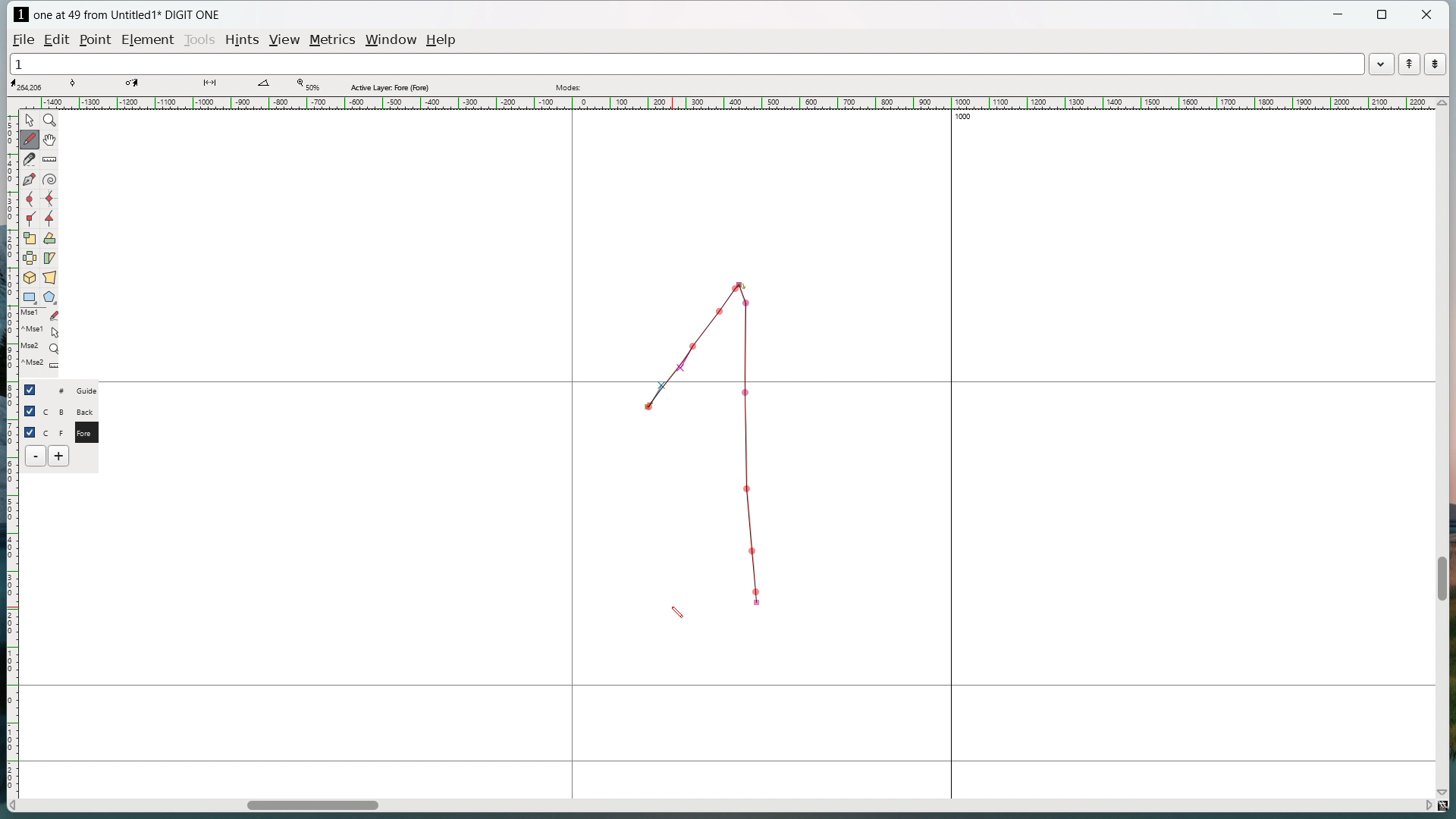 This screenshot has height=819, width=1456. Describe the element at coordinates (98, 39) in the screenshot. I see `Point` at that location.